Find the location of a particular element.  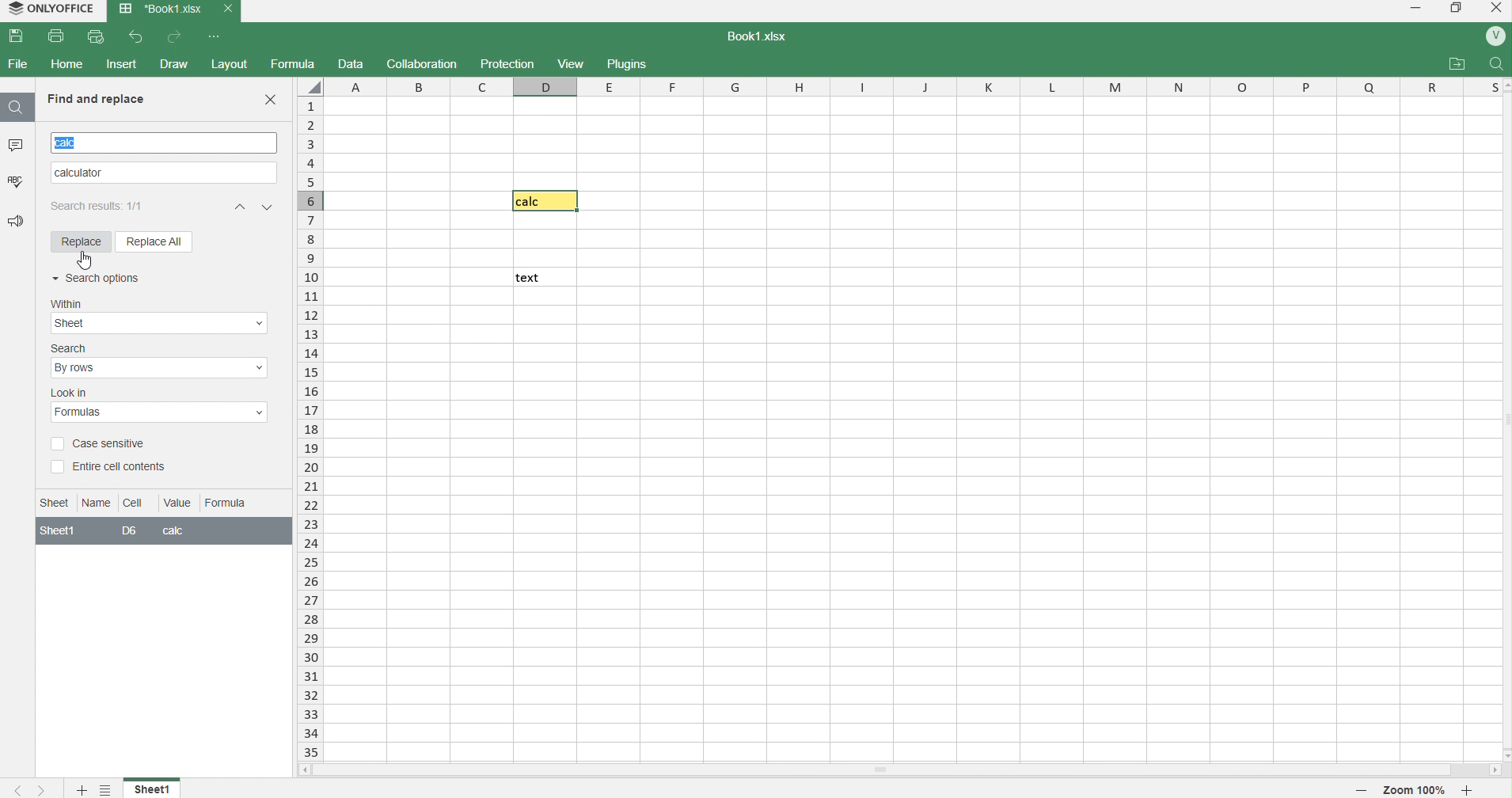

search is located at coordinates (17, 108).